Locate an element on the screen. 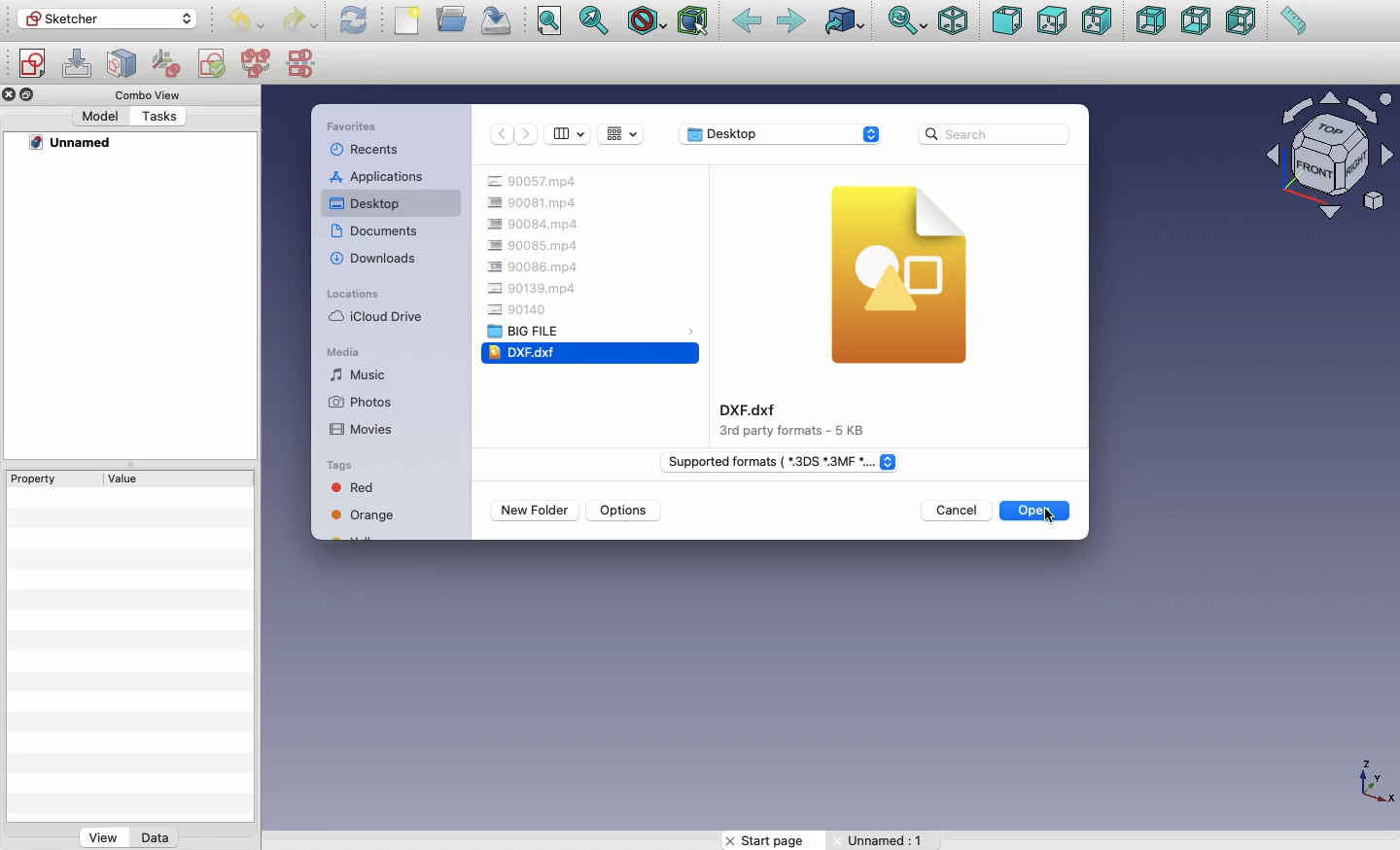 The width and height of the screenshot is (1400, 850). Tags is located at coordinates (340, 464).